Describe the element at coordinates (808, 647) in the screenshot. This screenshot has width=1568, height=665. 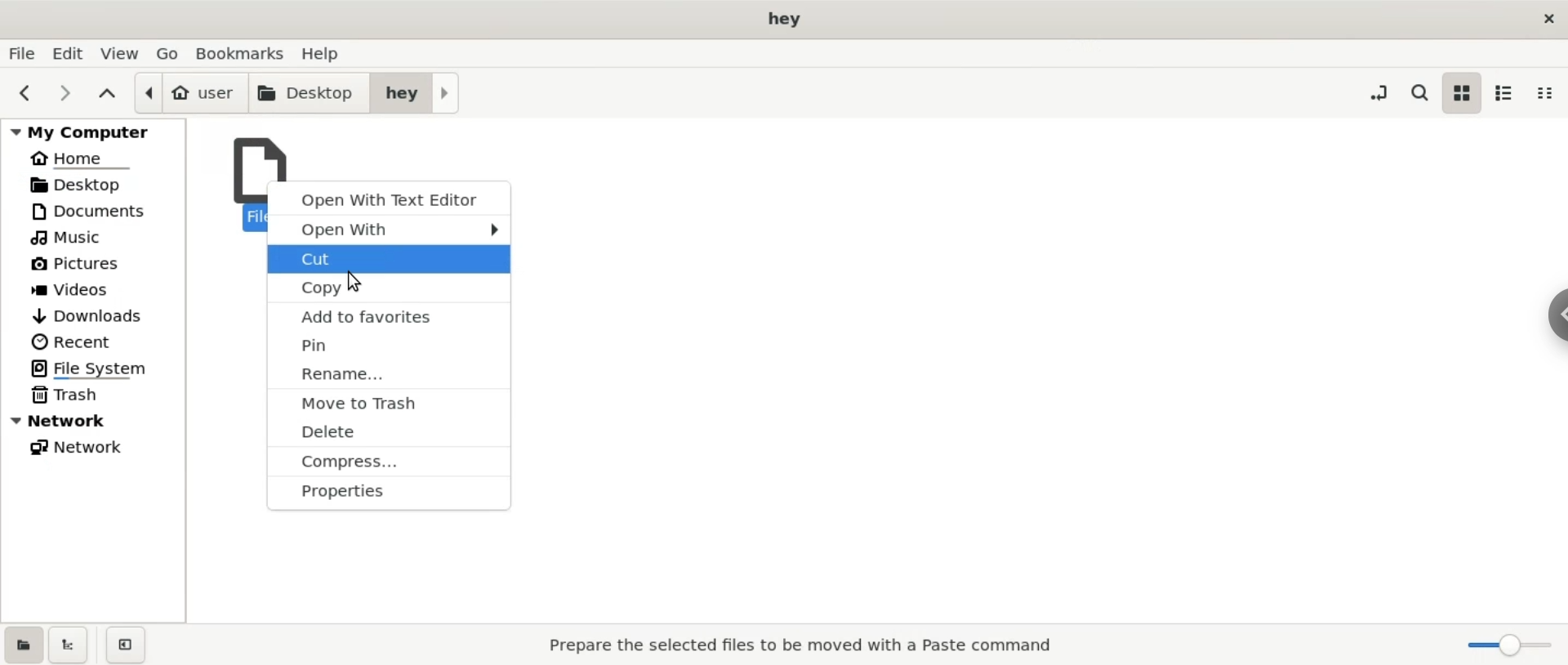
I see `selected file to moved with paste command` at that location.